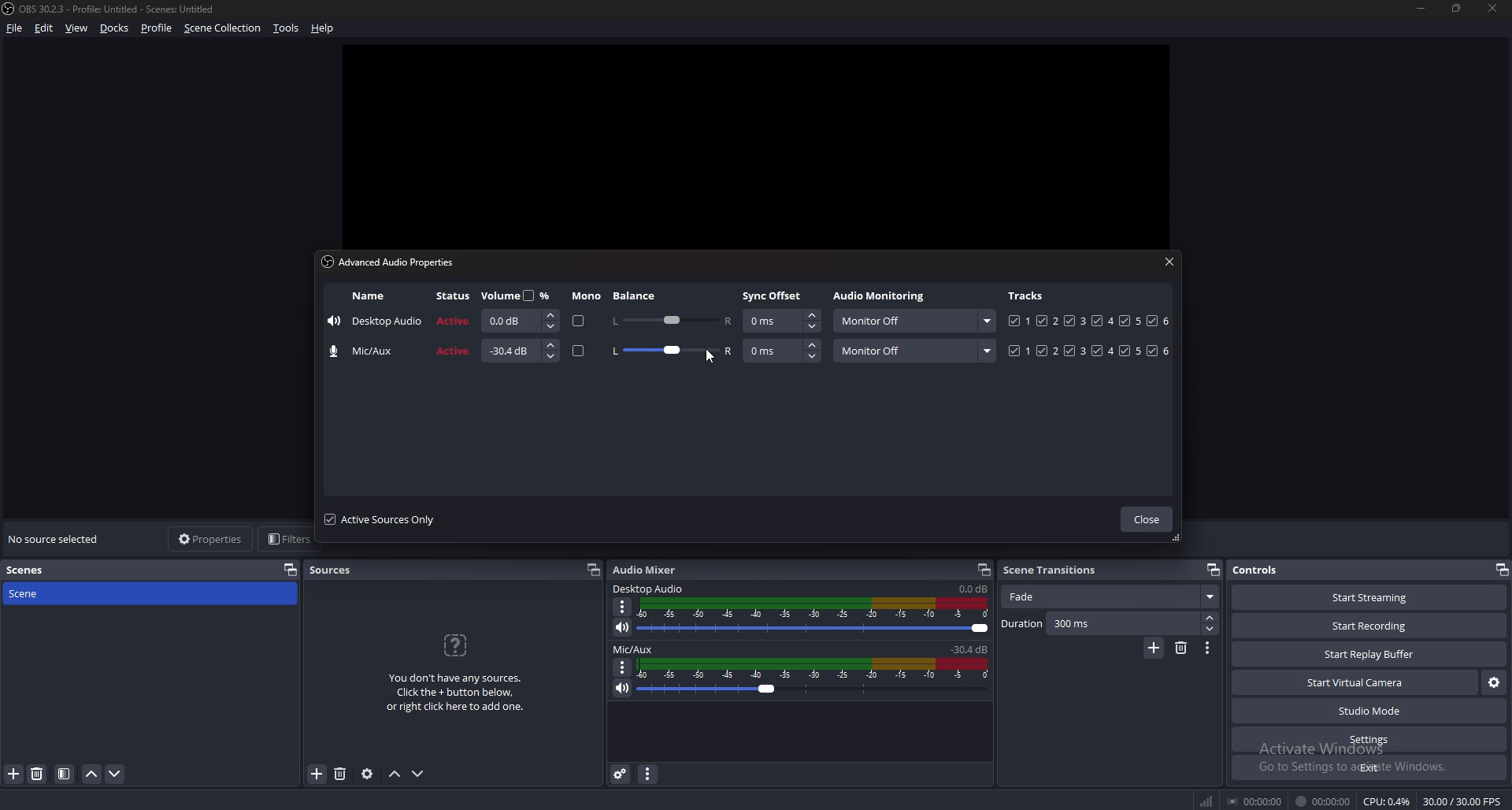 The height and width of the screenshot is (810, 1512). Describe the element at coordinates (58, 540) in the screenshot. I see `no source selected` at that location.